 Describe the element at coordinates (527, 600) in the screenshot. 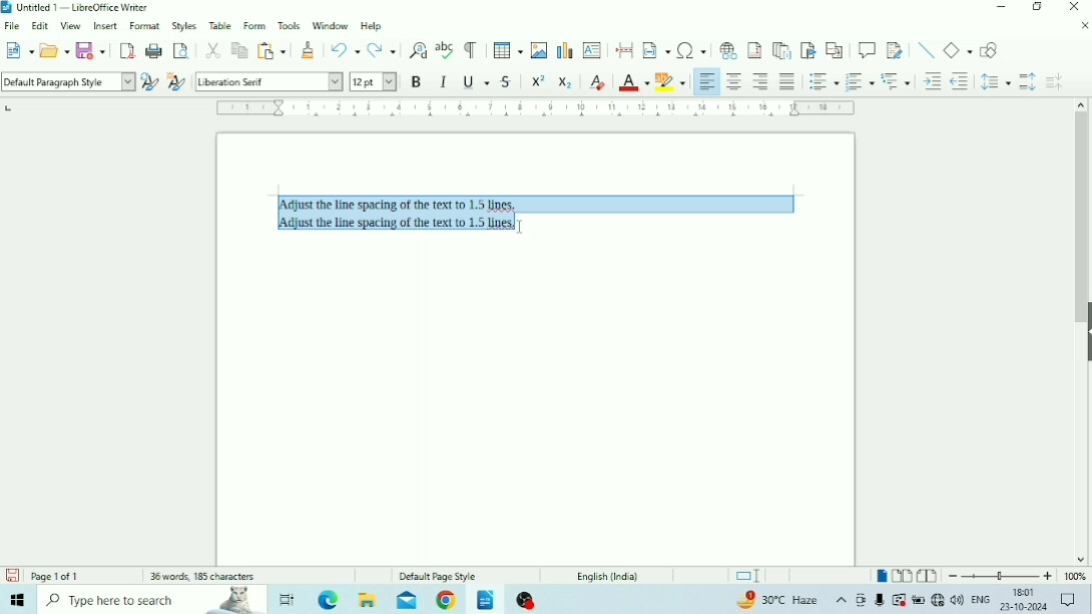

I see `OBS Studio` at that location.